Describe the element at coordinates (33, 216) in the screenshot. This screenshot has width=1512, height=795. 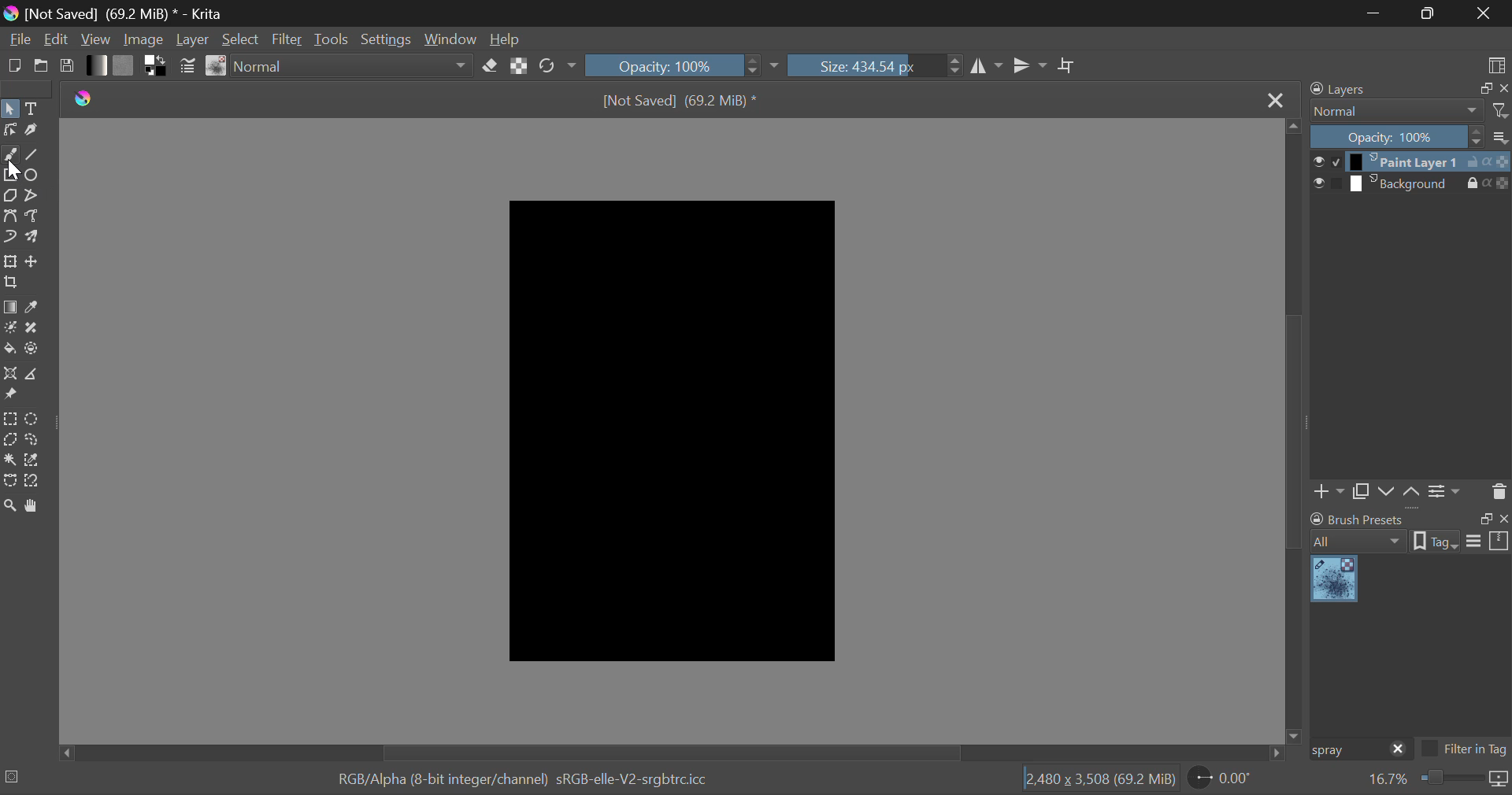
I see `Freehand Path Tool` at that location.